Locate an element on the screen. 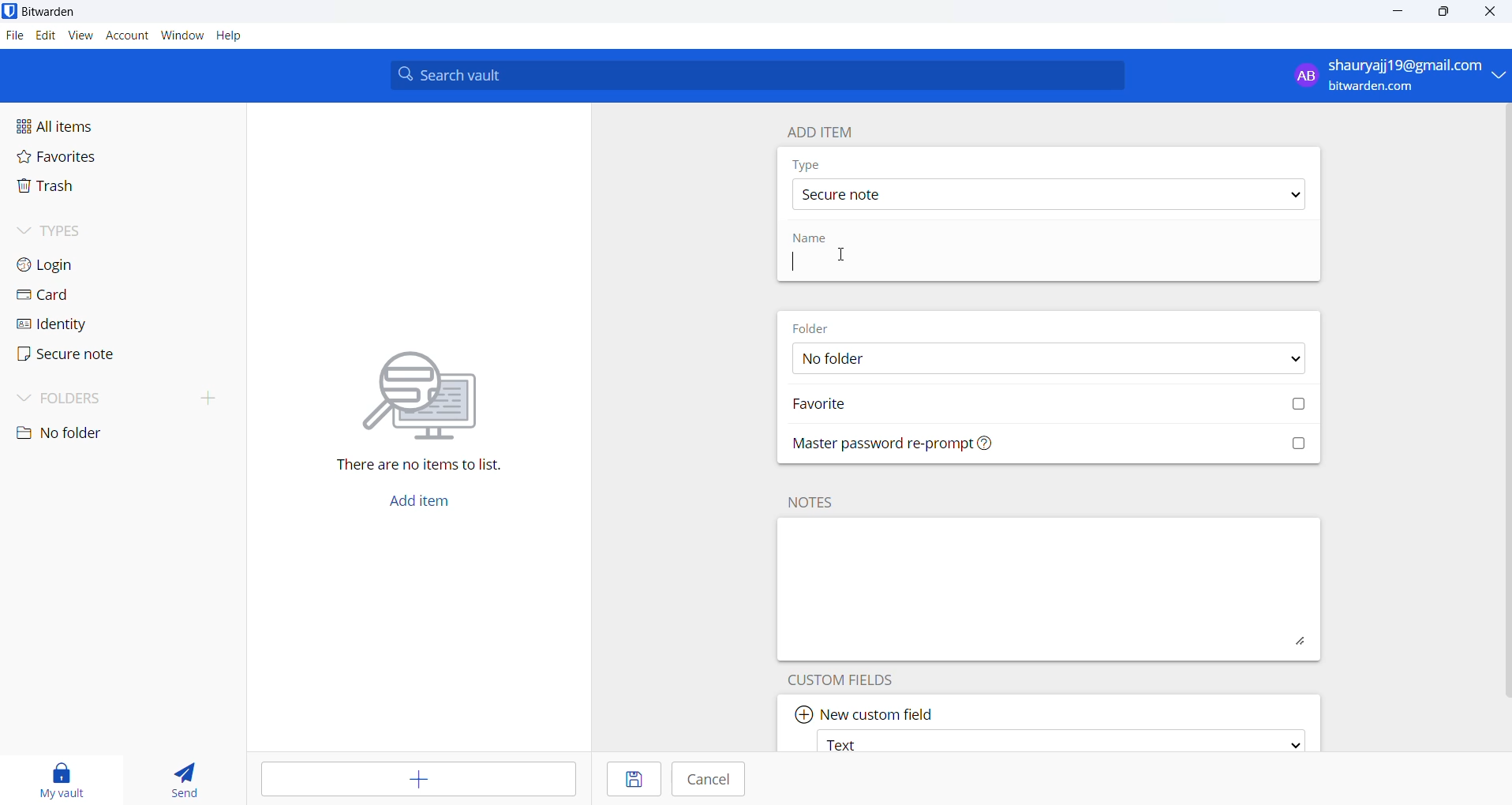 Image resolution: width=1512 pixels, height=805 pixels. master password re-prompt checkbox is located at coordinates (1054, 446).